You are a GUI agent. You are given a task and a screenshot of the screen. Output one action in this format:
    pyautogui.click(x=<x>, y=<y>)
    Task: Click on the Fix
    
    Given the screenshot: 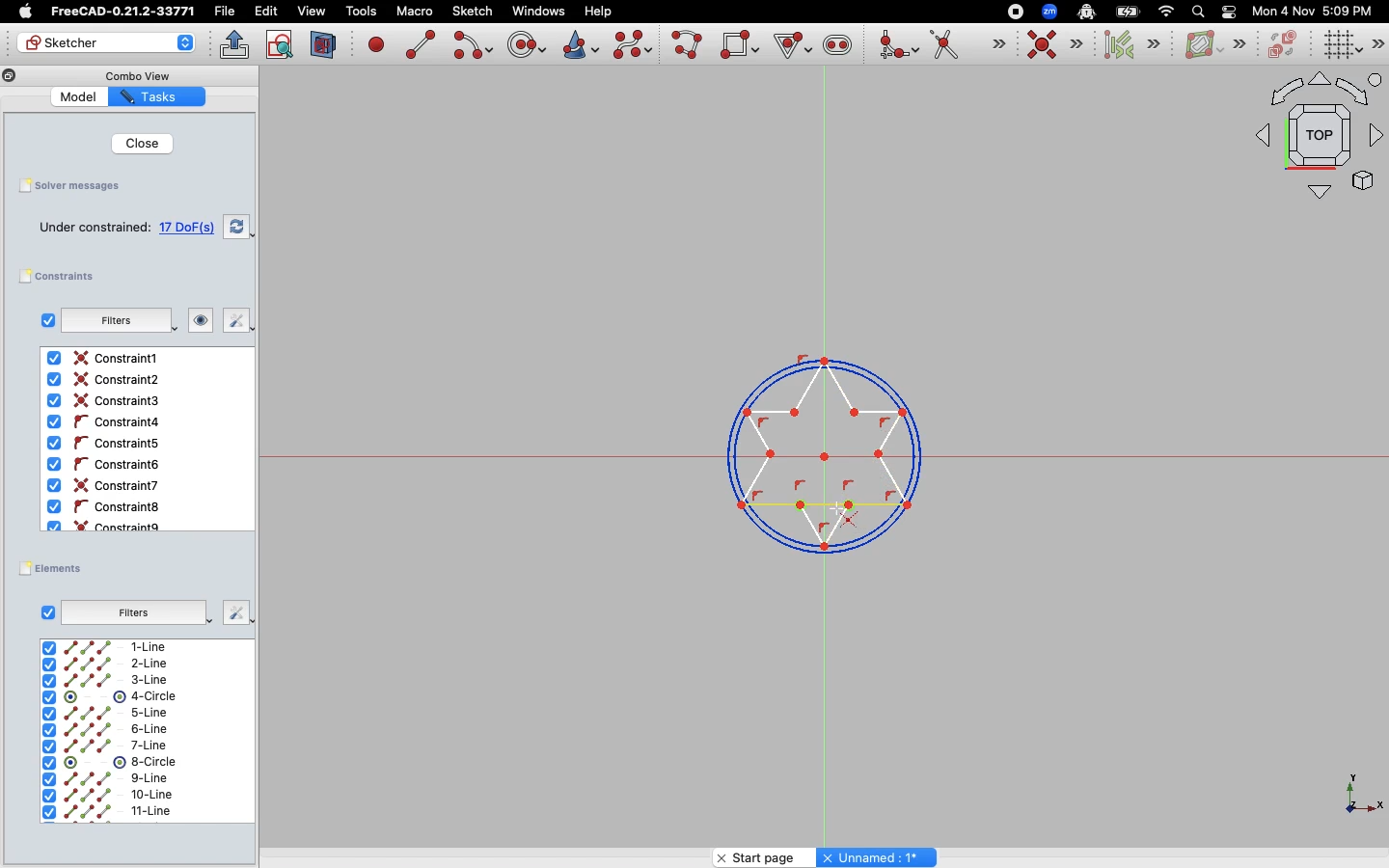 What is the action you would take?
    pyautogui.click(x=231, y=321)
    